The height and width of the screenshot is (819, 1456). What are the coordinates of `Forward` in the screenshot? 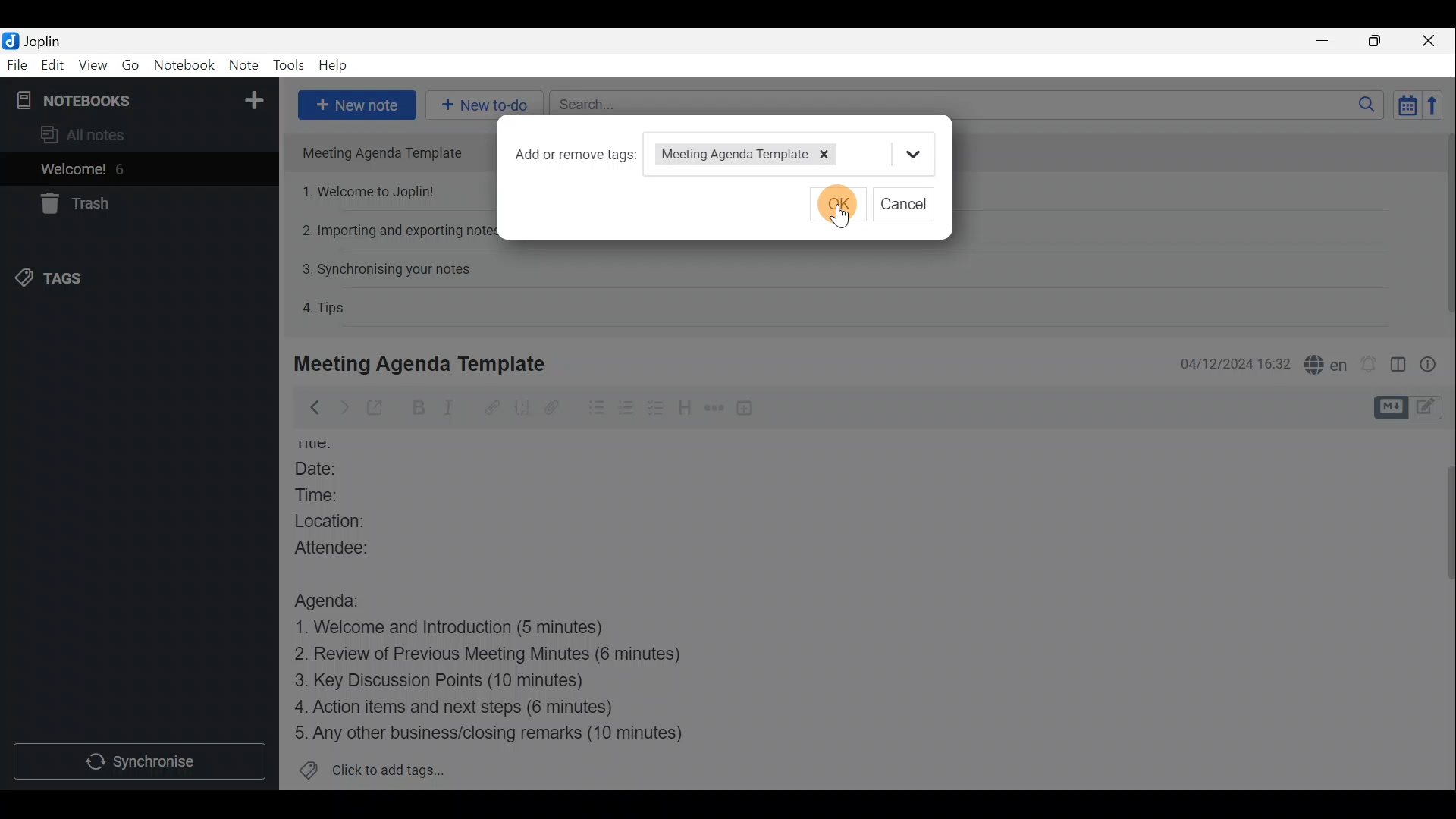 It's located at (342, 407).